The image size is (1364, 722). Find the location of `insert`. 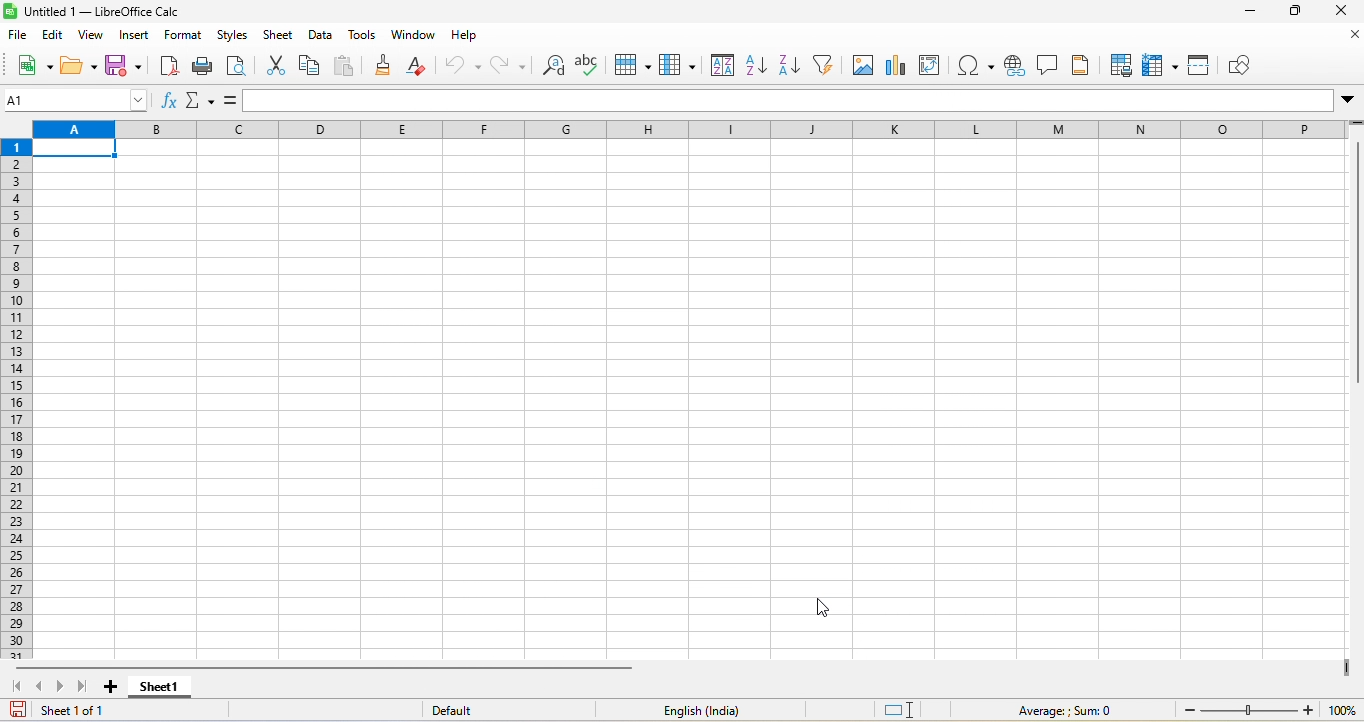

insert is located at coordinates (135, 38).